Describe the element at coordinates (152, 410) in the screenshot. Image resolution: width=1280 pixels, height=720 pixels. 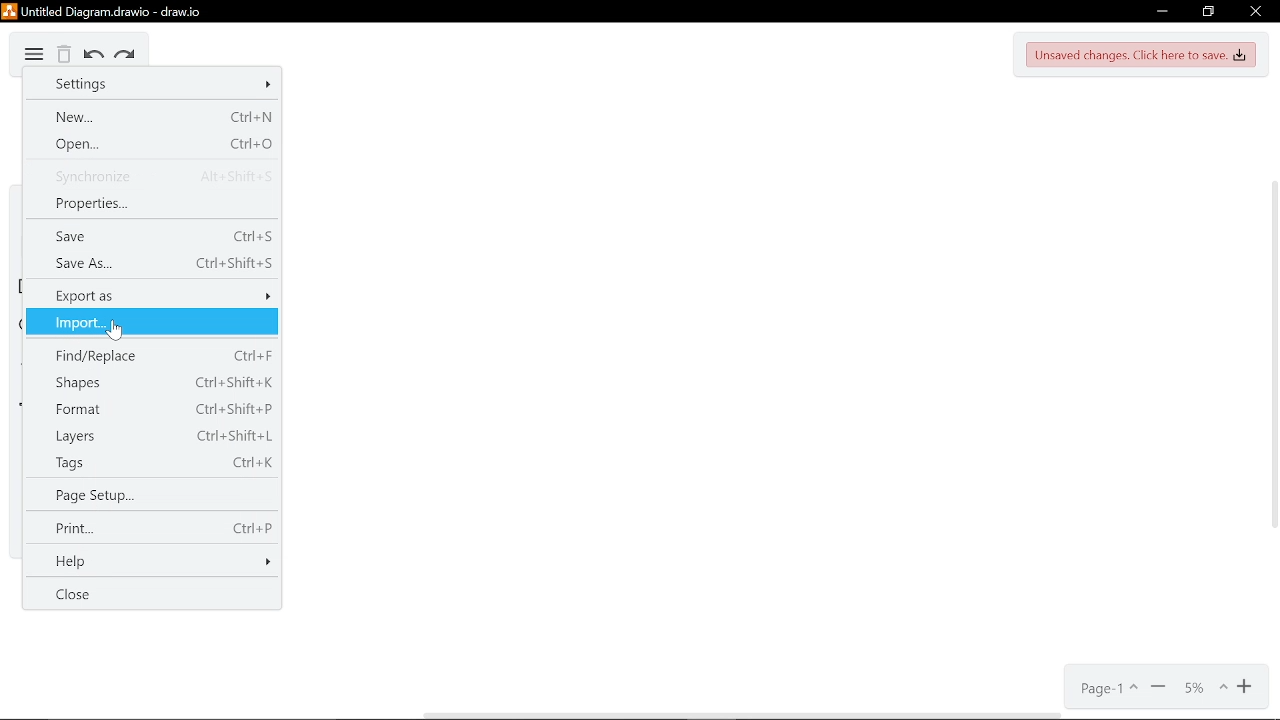
I see `Format` at that location.